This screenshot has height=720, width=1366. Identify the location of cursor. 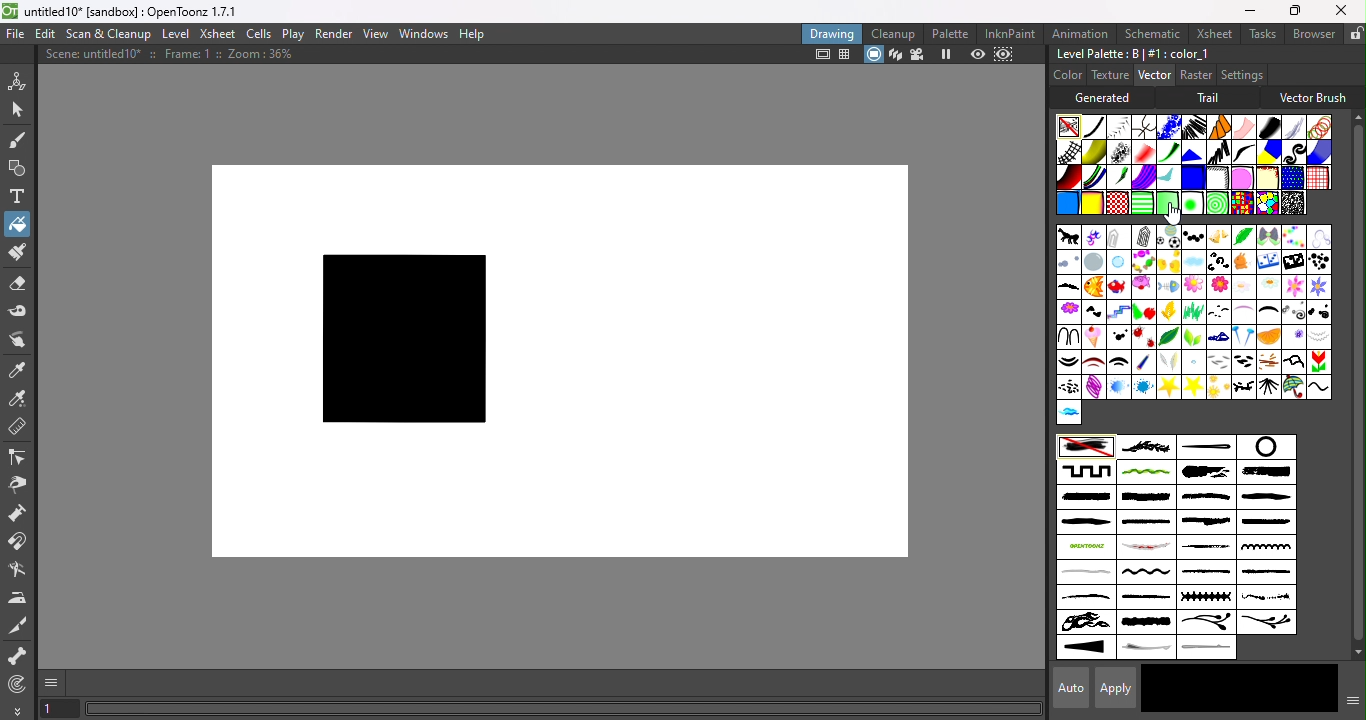
(1174, 214).